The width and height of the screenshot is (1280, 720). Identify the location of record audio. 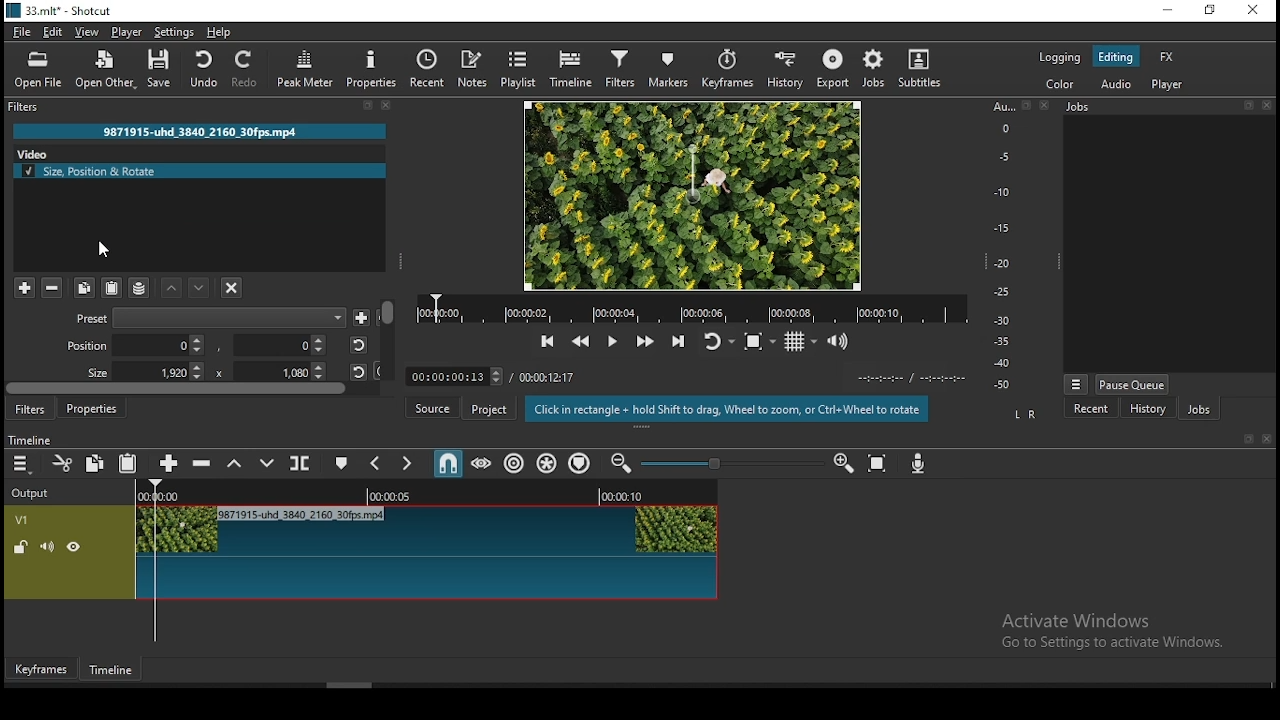
(921, 465).